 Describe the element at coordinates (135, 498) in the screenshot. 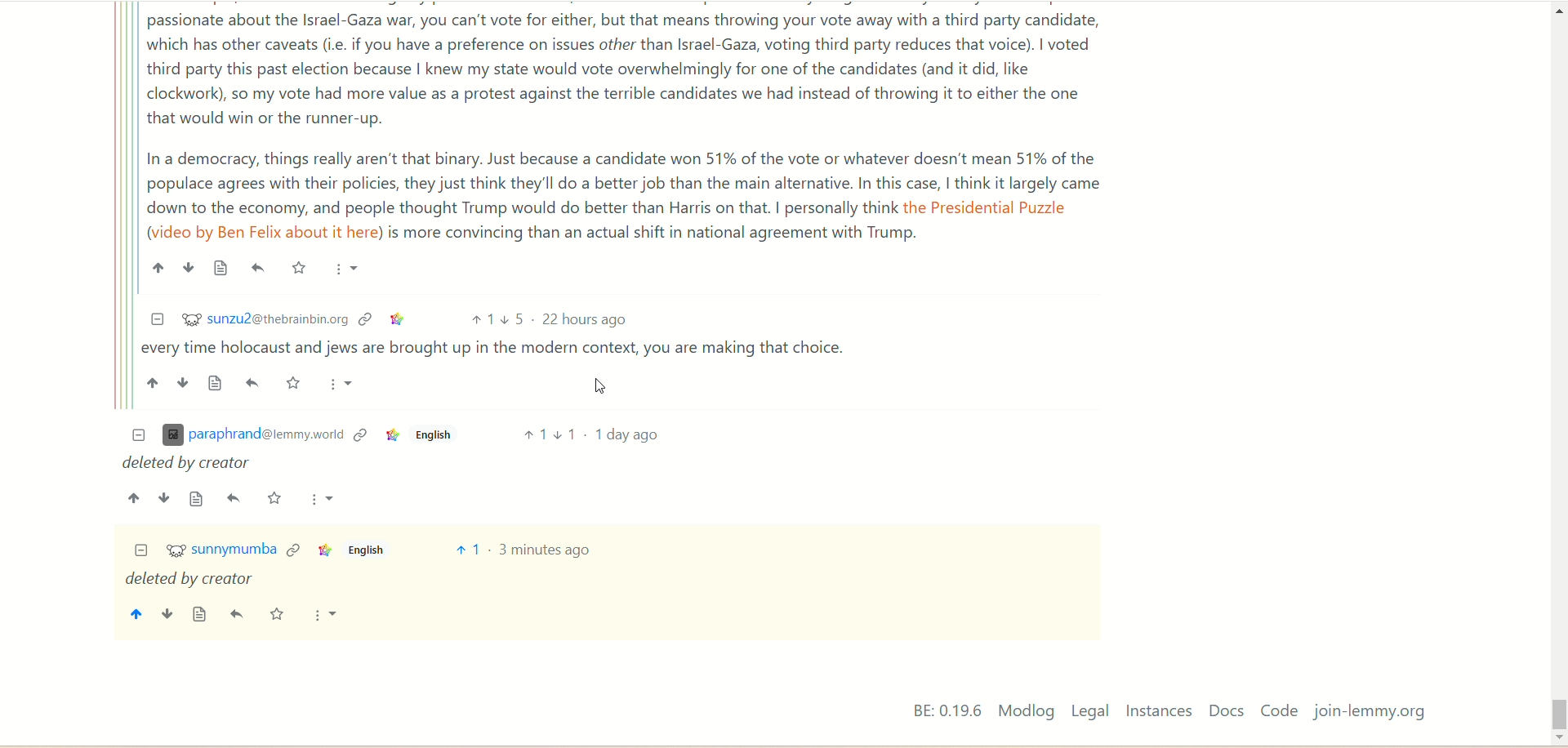

I see `Upvote` at that location.